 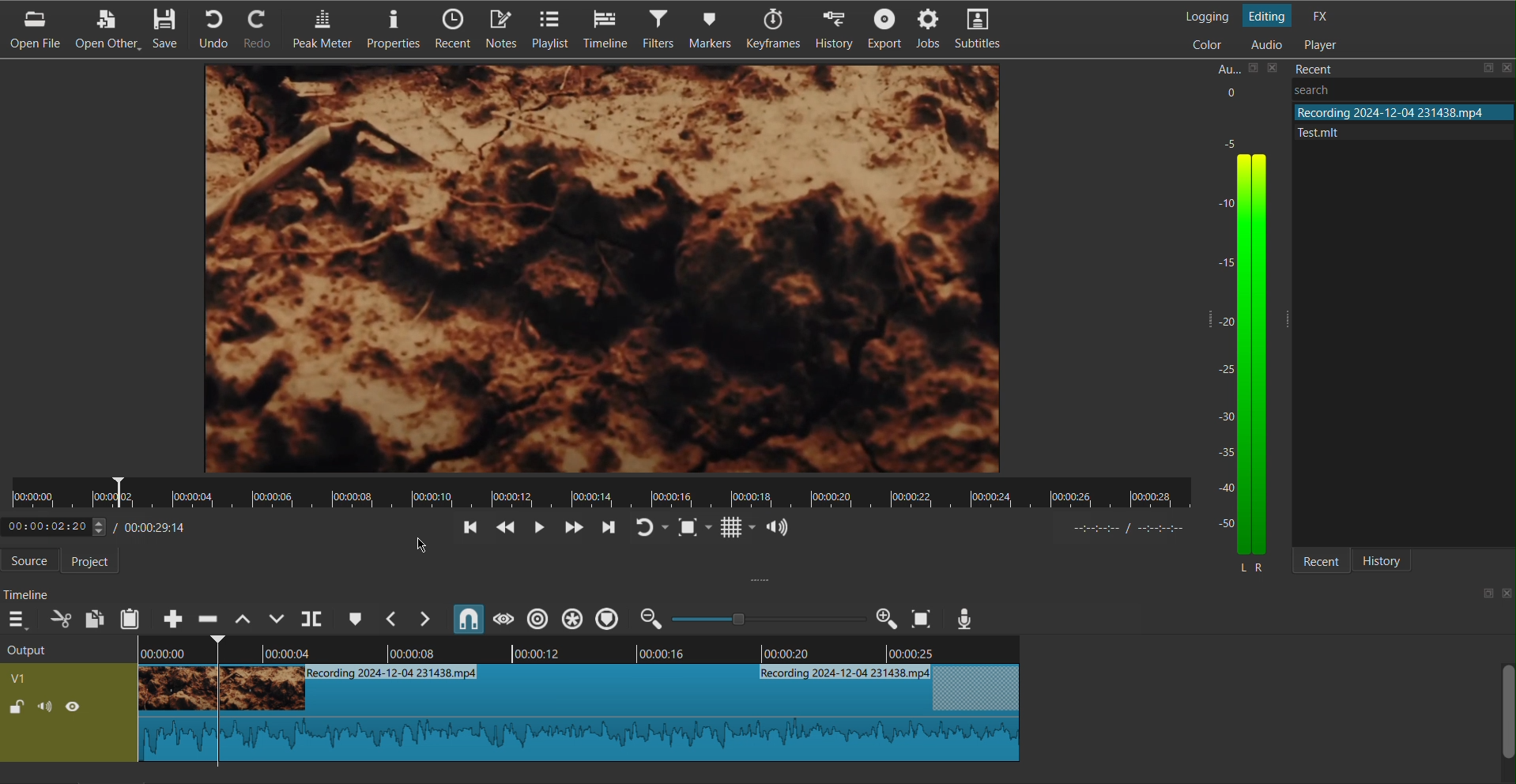 I want to click on Save, so click(x=169, y=28).